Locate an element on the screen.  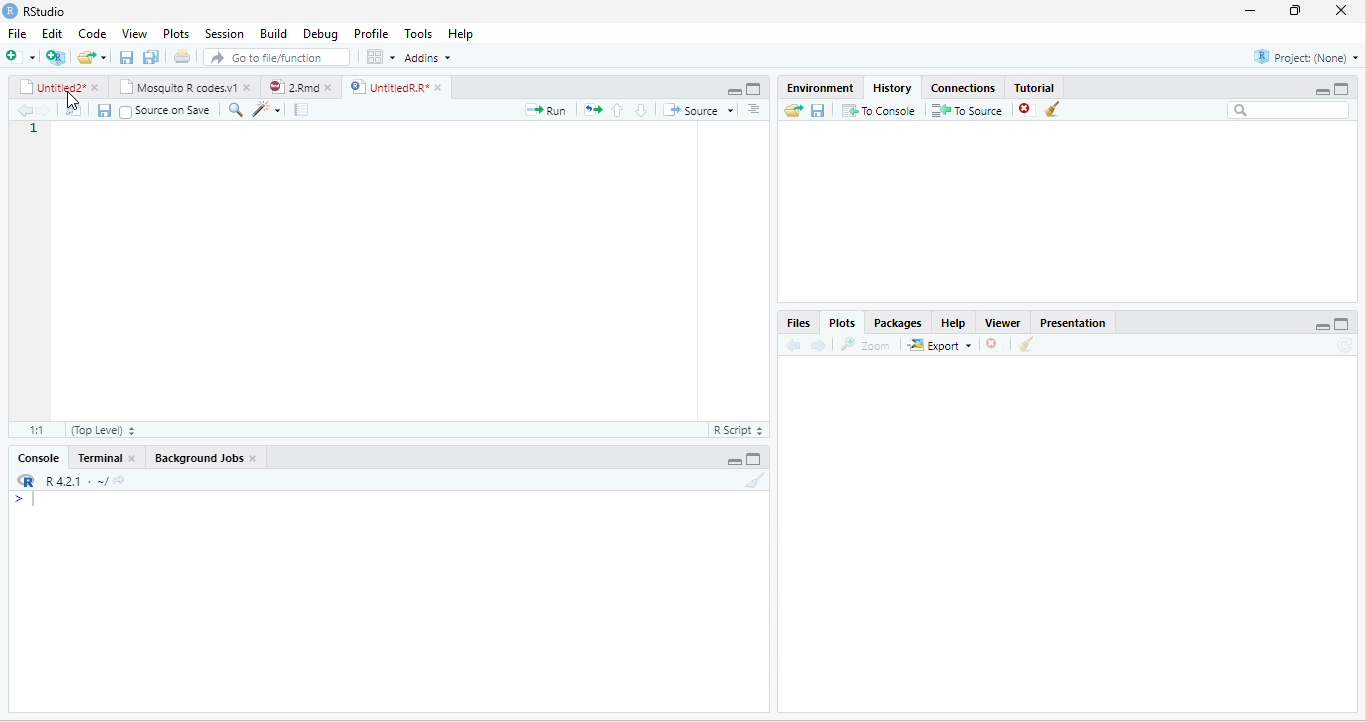
maximize is located at coordinates (753, 89).